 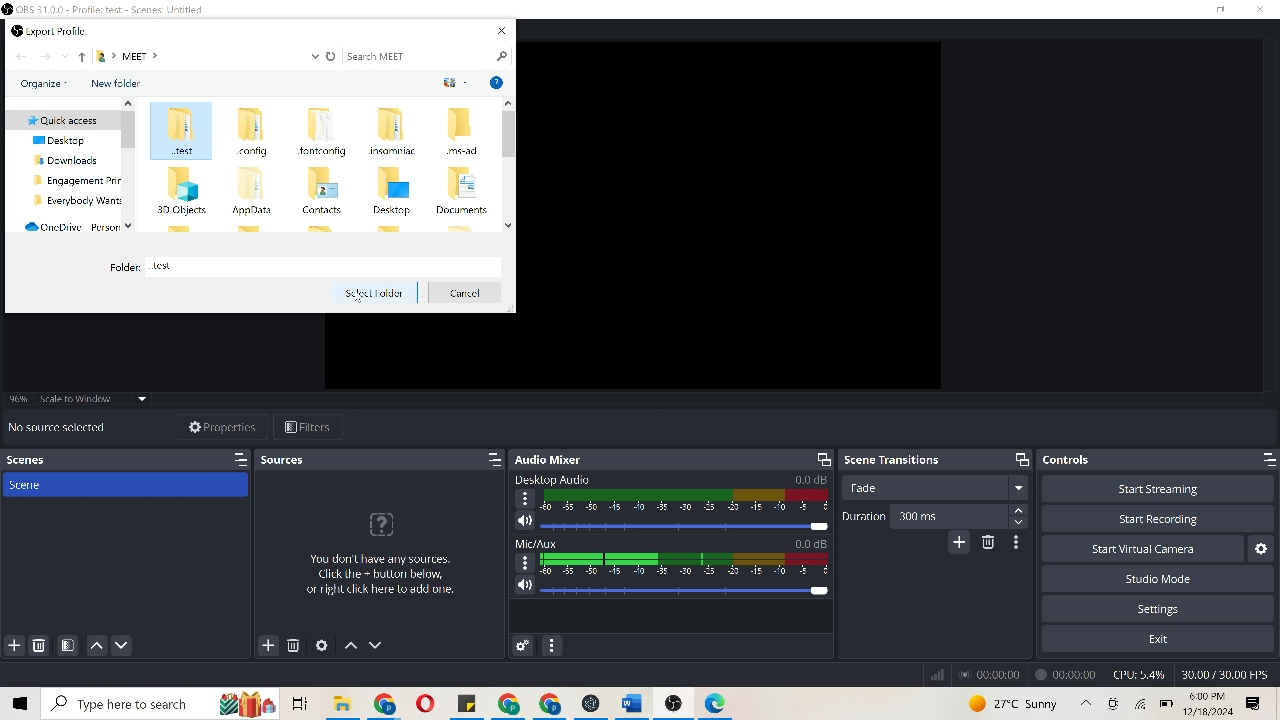 I want to click on organize, so click(x=44, y=84).